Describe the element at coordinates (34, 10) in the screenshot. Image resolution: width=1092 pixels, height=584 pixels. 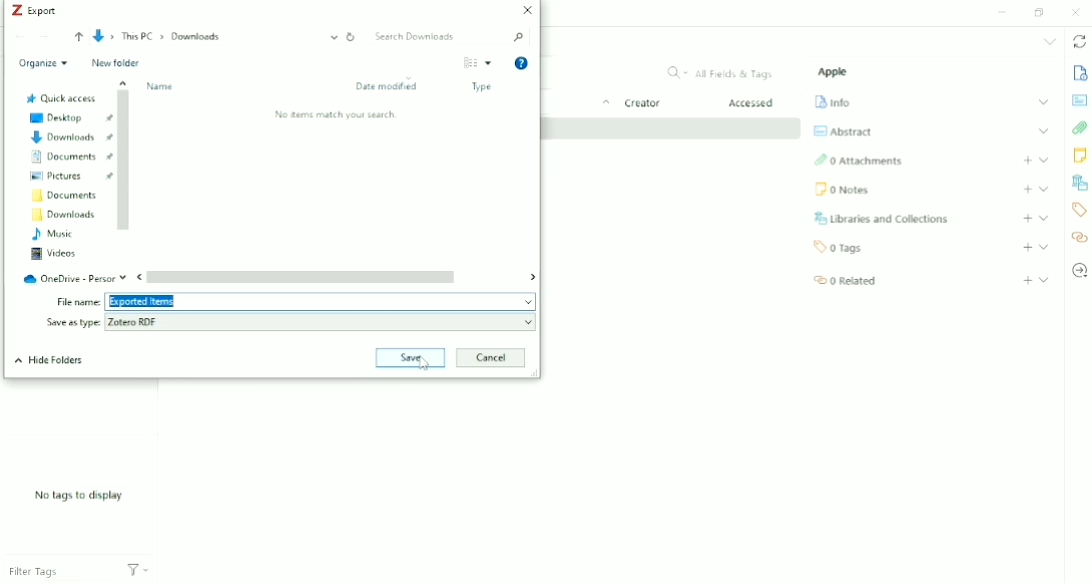
I see `Export` at that location.